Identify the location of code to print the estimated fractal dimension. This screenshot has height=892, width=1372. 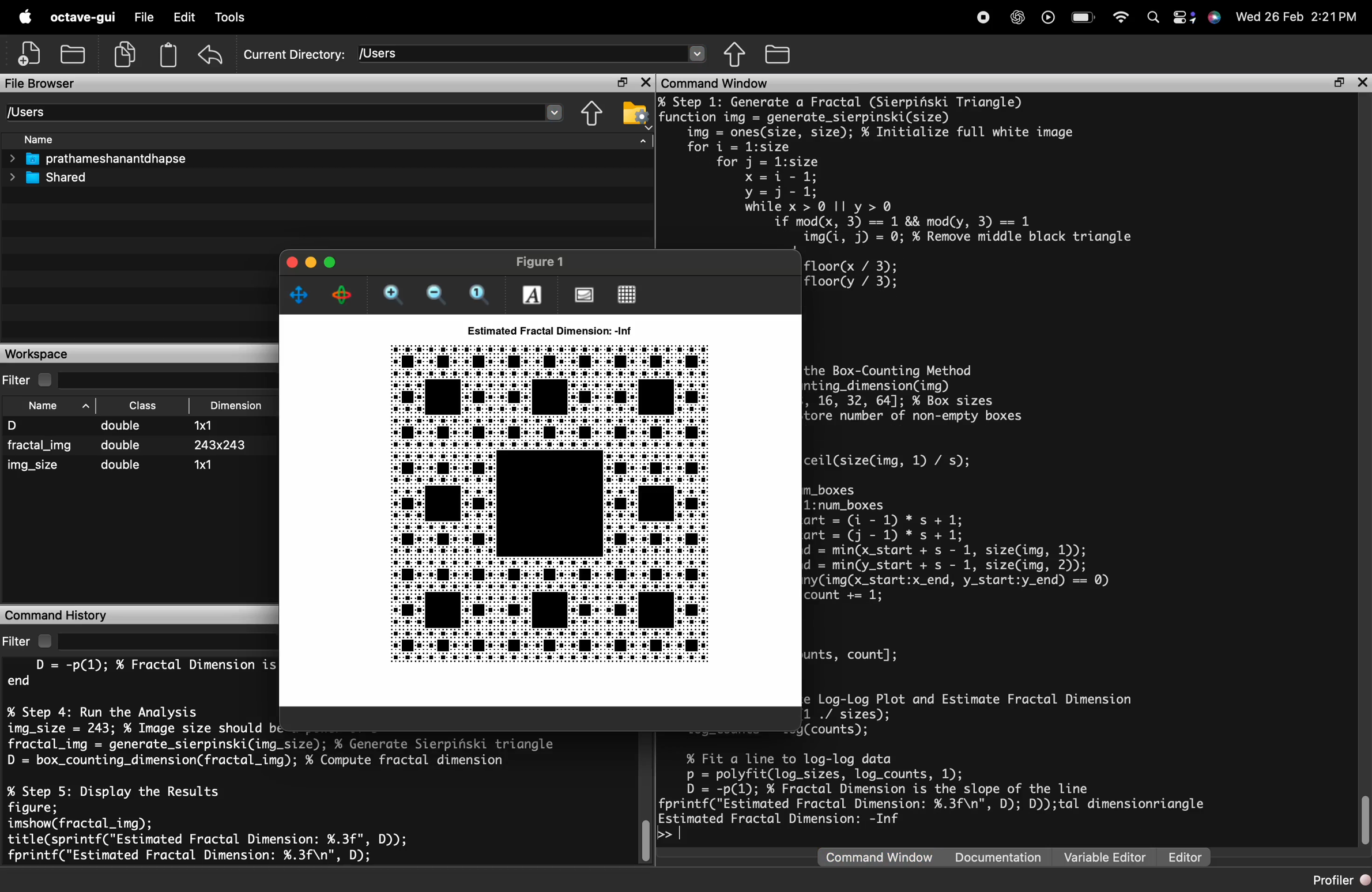
(937, 788).